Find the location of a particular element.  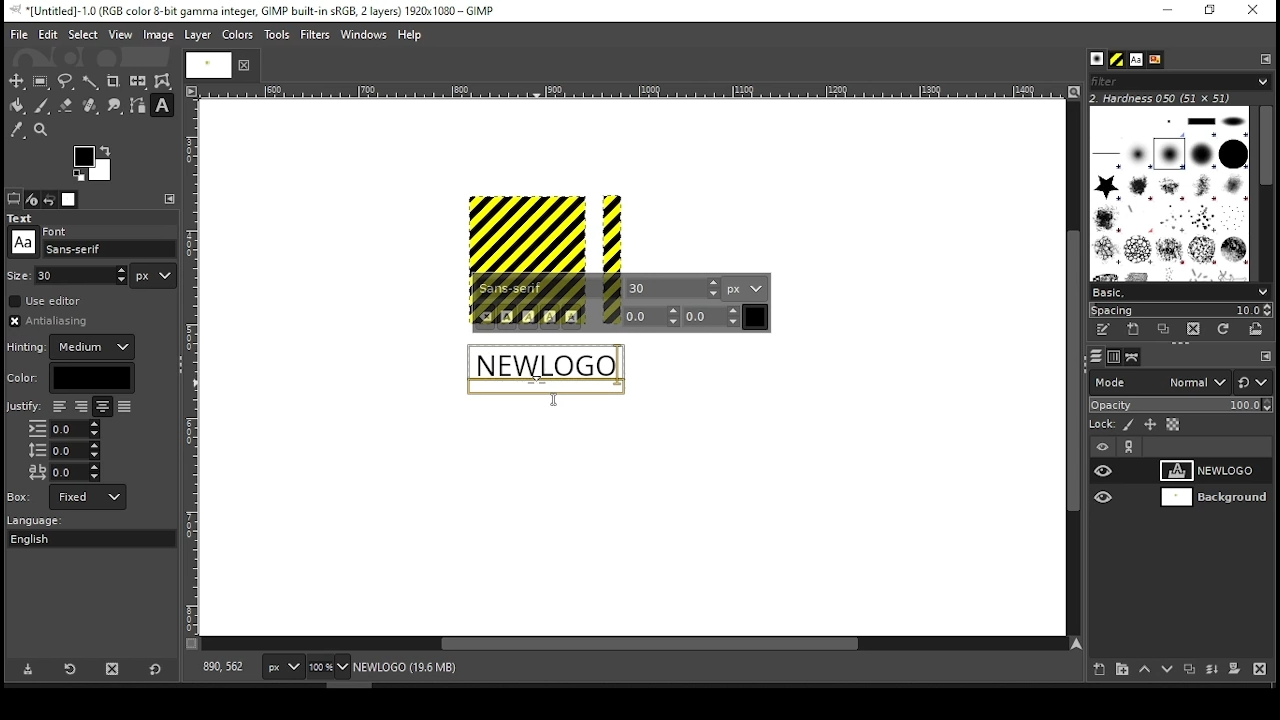

scroll bar is located at coordinates (1265, 192).